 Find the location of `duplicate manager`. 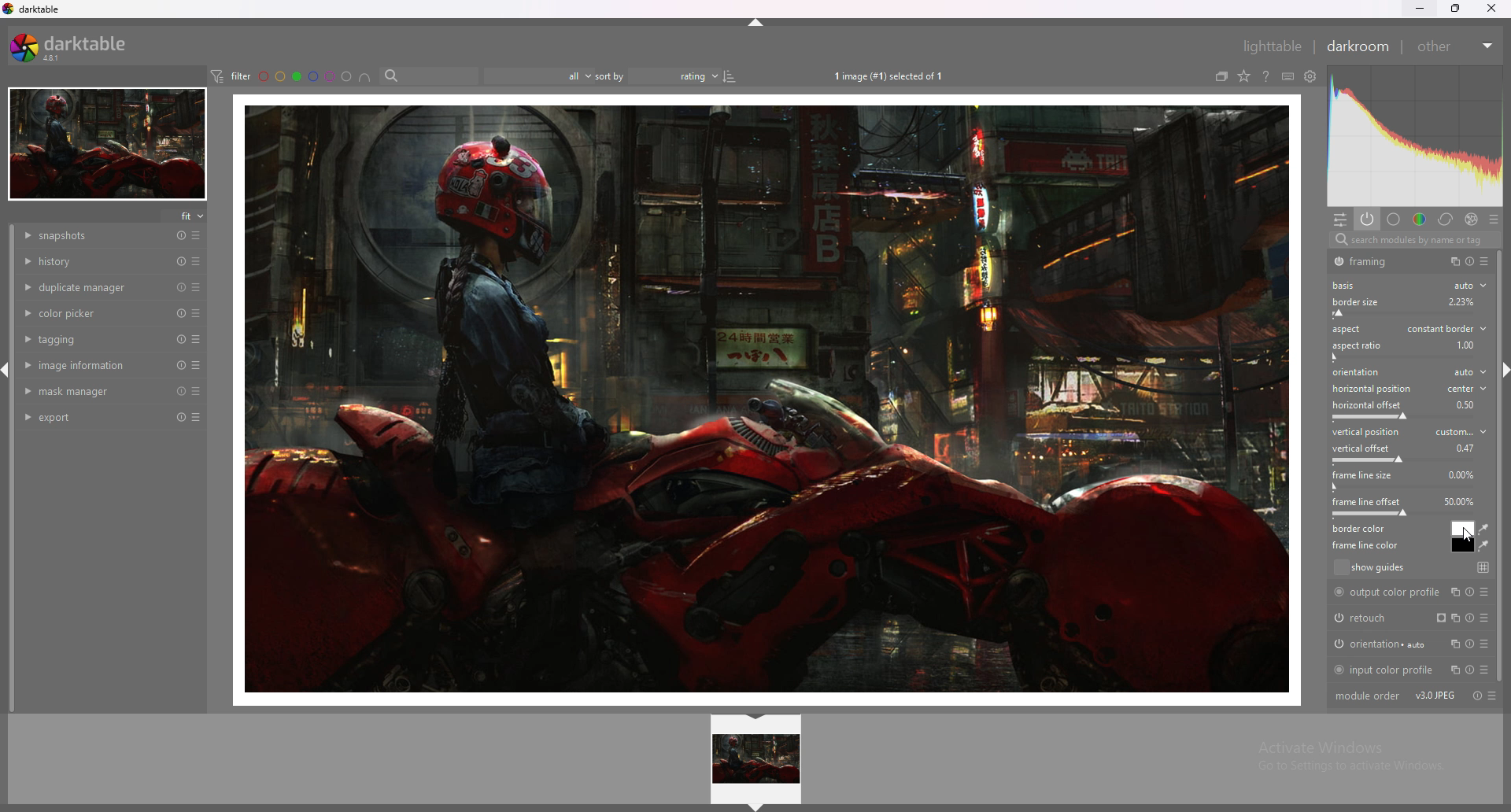

duplicate manager is located at coordinates (94, 286).